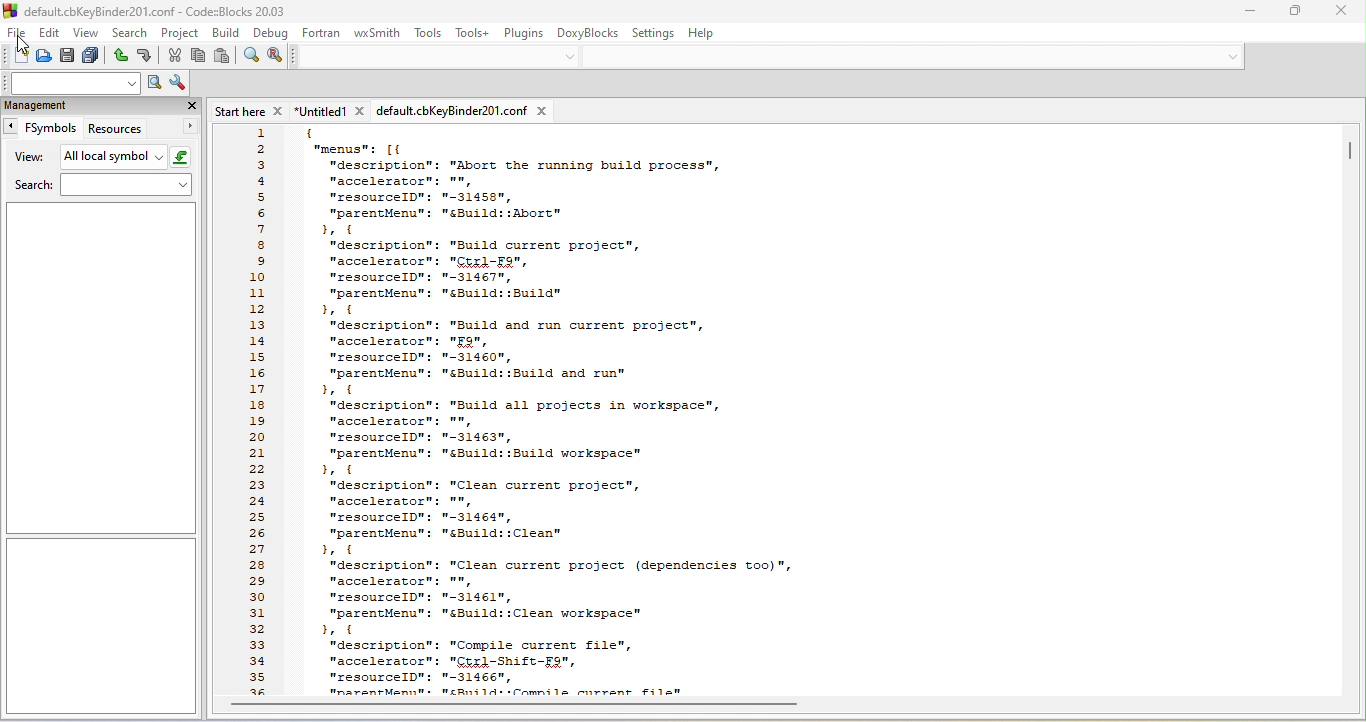 This screenshot has height=722, width=1366. I want to click on edit, so click(52, 32).